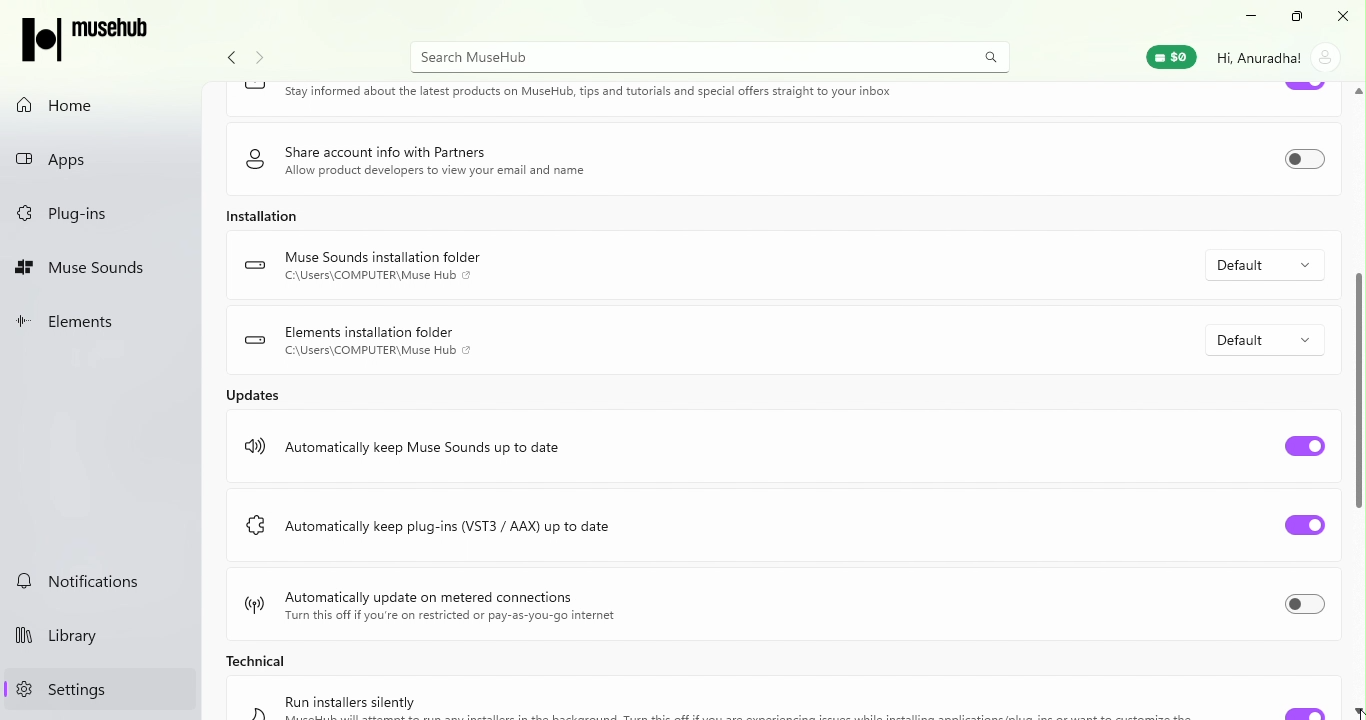 This screenshot has height=720, width=1366. What do you see at coordinates (256, 341) in the screenshot?
I see `logo` at bounding box center [256, 341].